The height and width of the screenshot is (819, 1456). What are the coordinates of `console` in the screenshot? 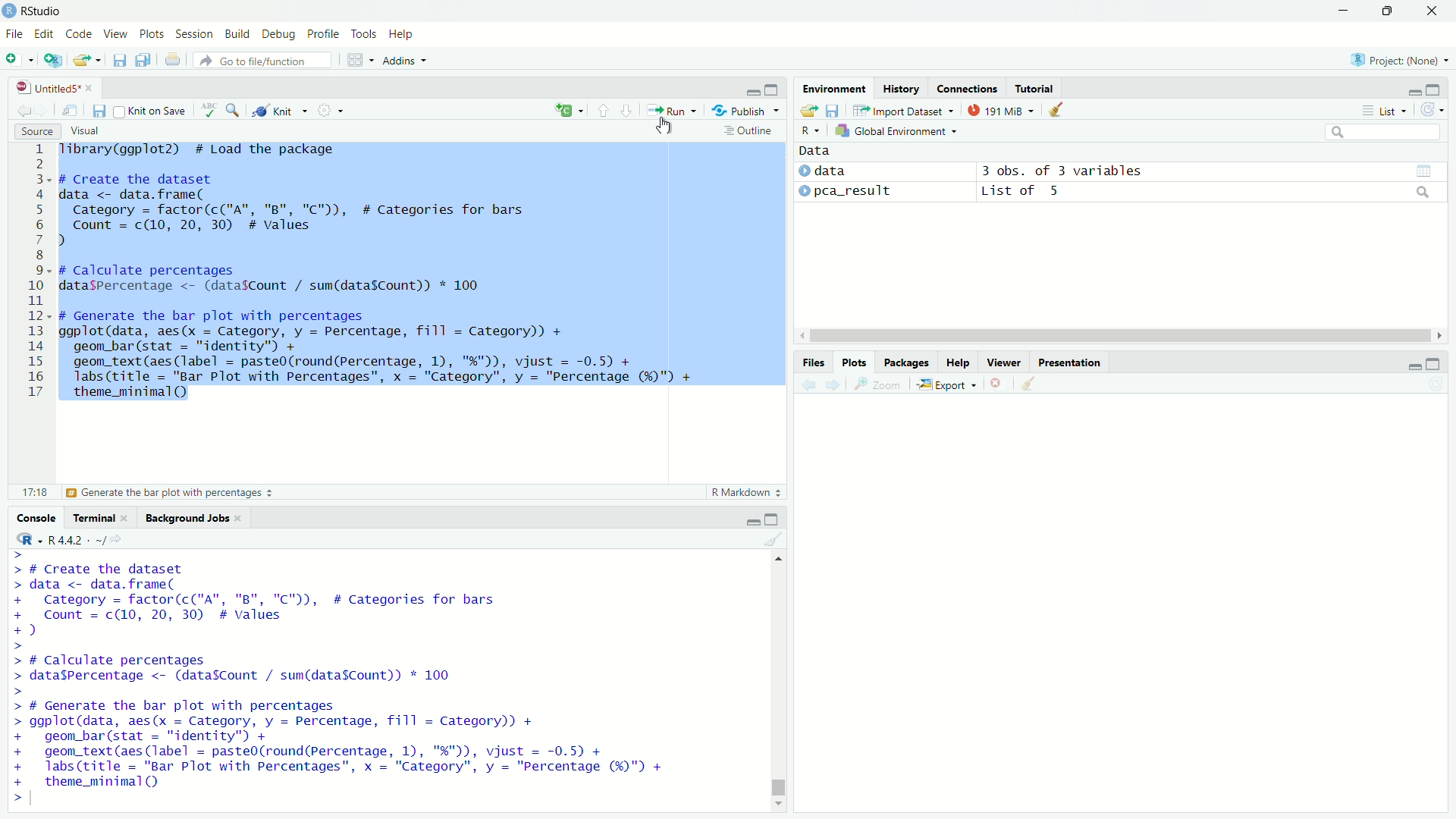 It's located at (35, 517).